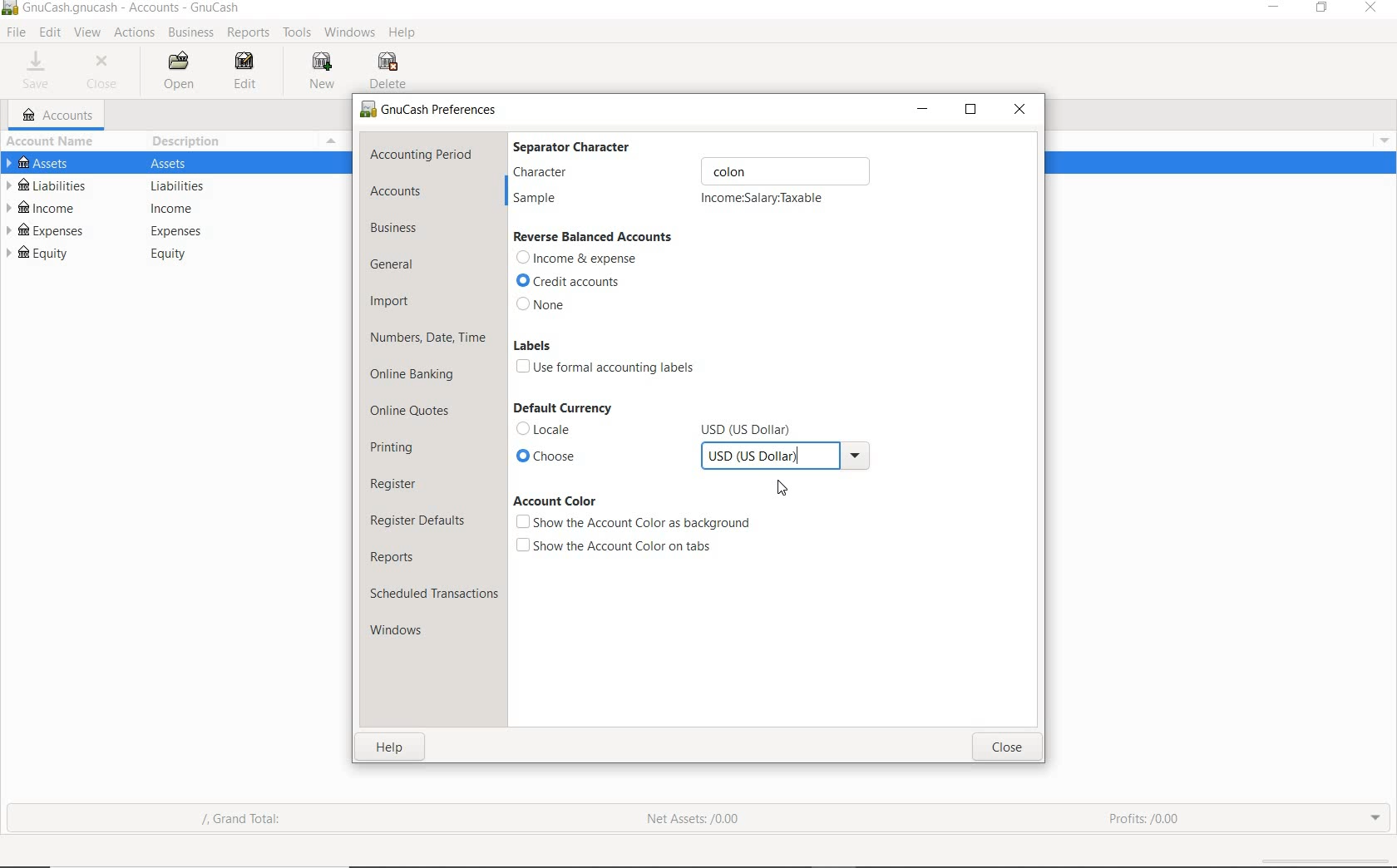 This screenshot has width=1397, height=868. Describe the element at coordinates (409, 633) in the screenshot. I see `windows` at that location.